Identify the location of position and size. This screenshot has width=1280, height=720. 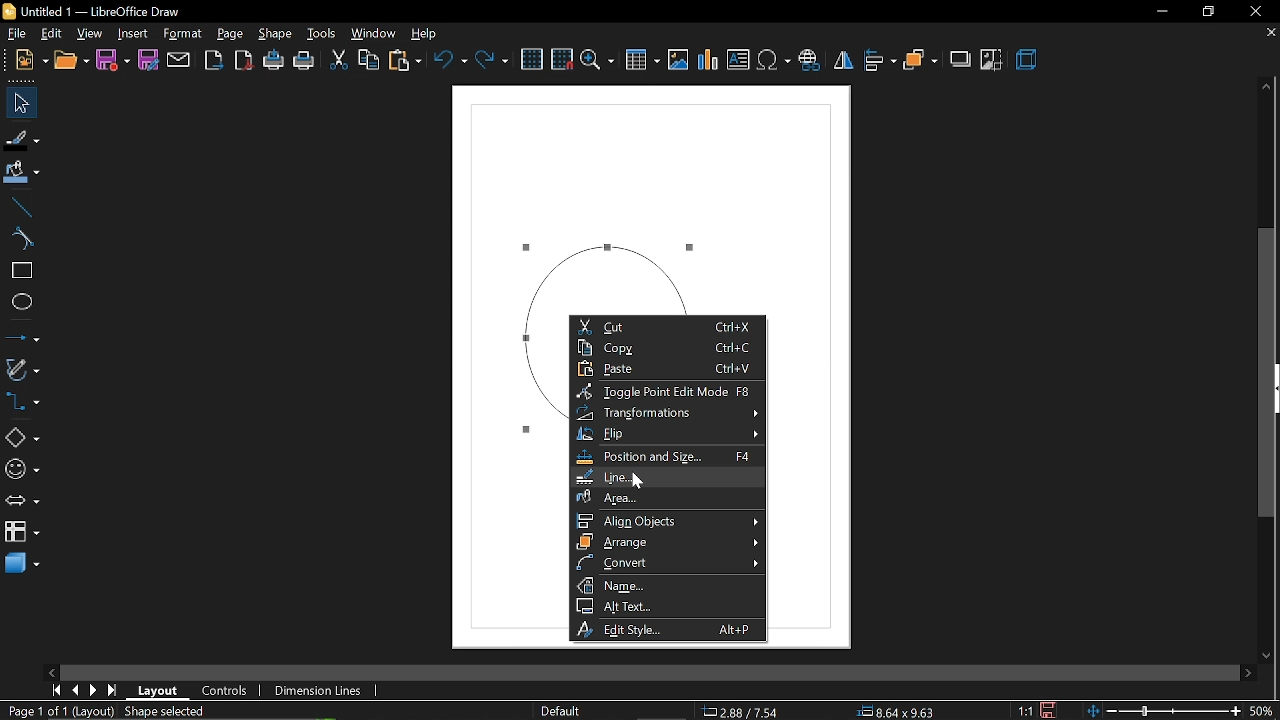
(665, 457).